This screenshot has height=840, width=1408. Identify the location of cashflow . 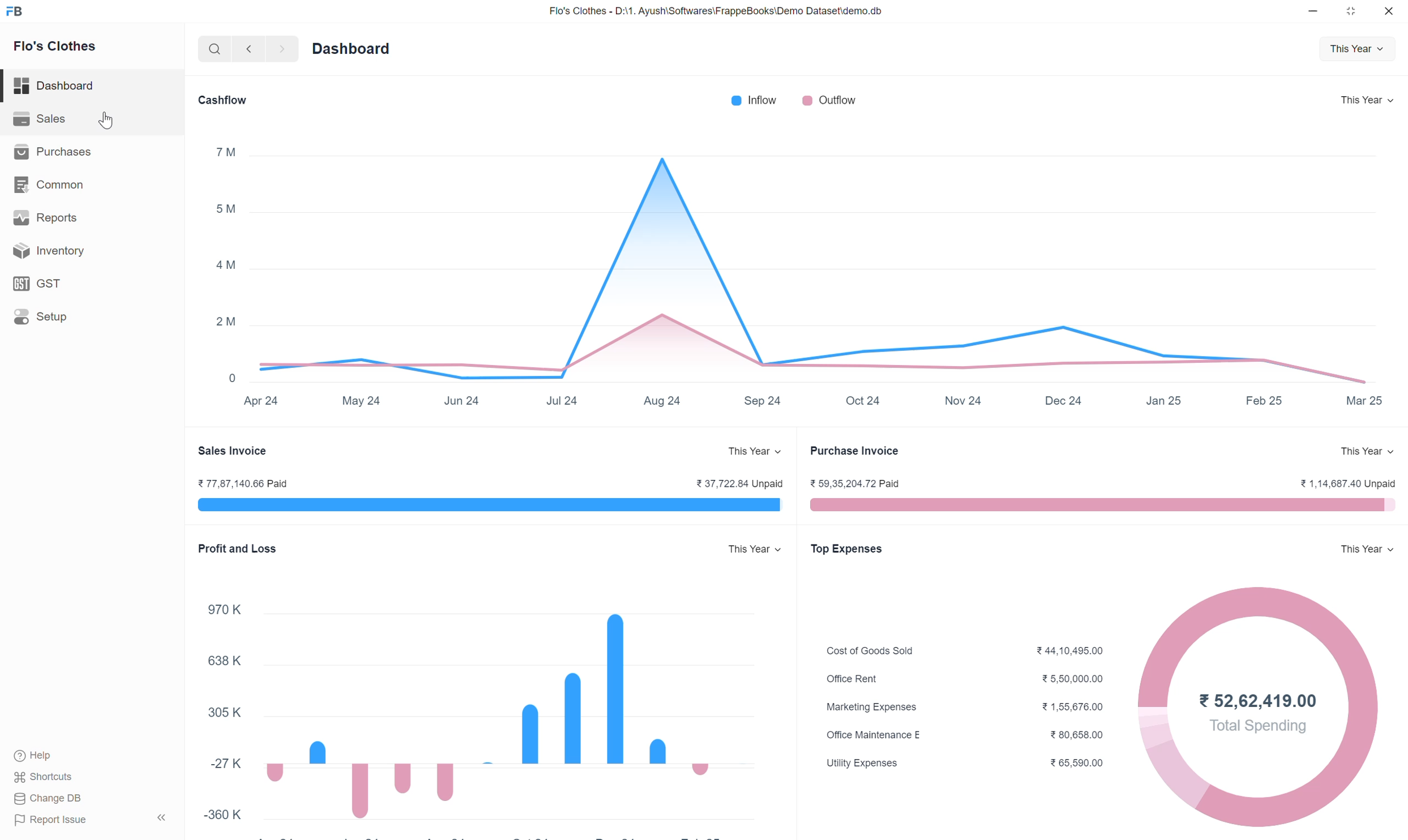
(221, 102).